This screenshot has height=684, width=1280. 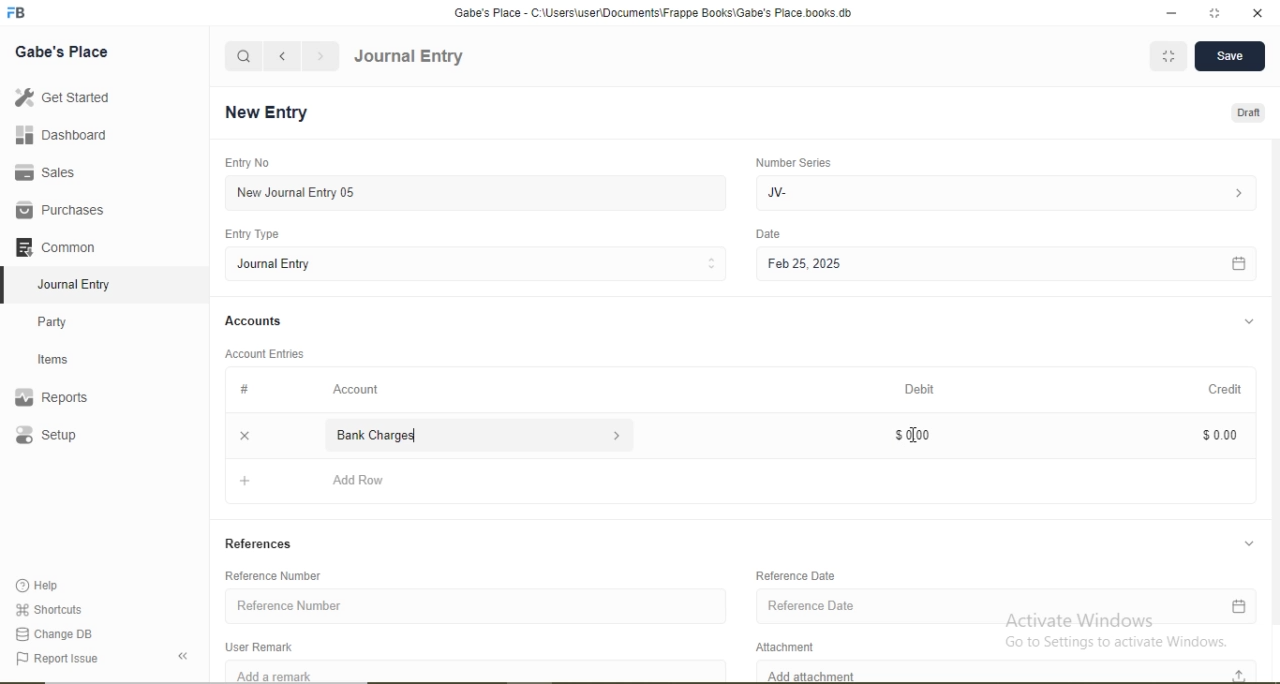 I want to click on Credit, so click(x=1219, y=388).